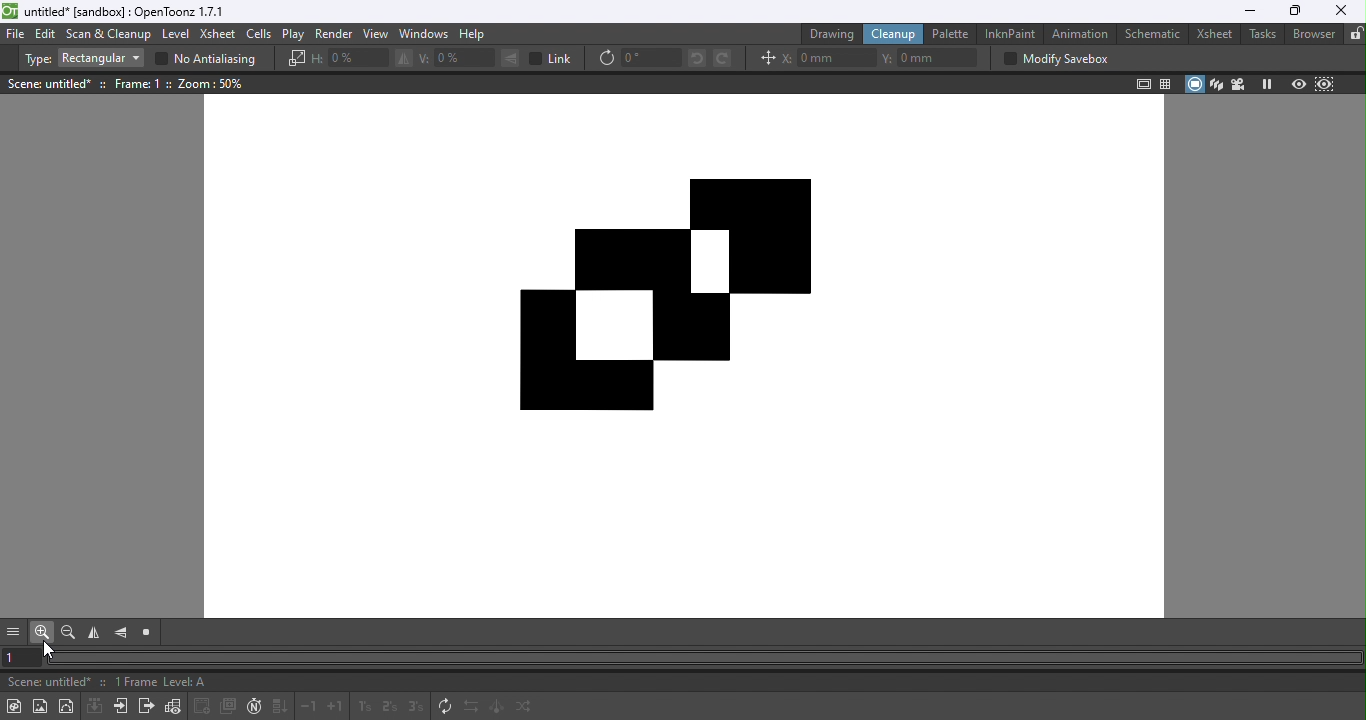 This screenshot has width=1366, height=720. Describe the element at coordinates (45, 683) in the screenshot. I see `File name` at that location.